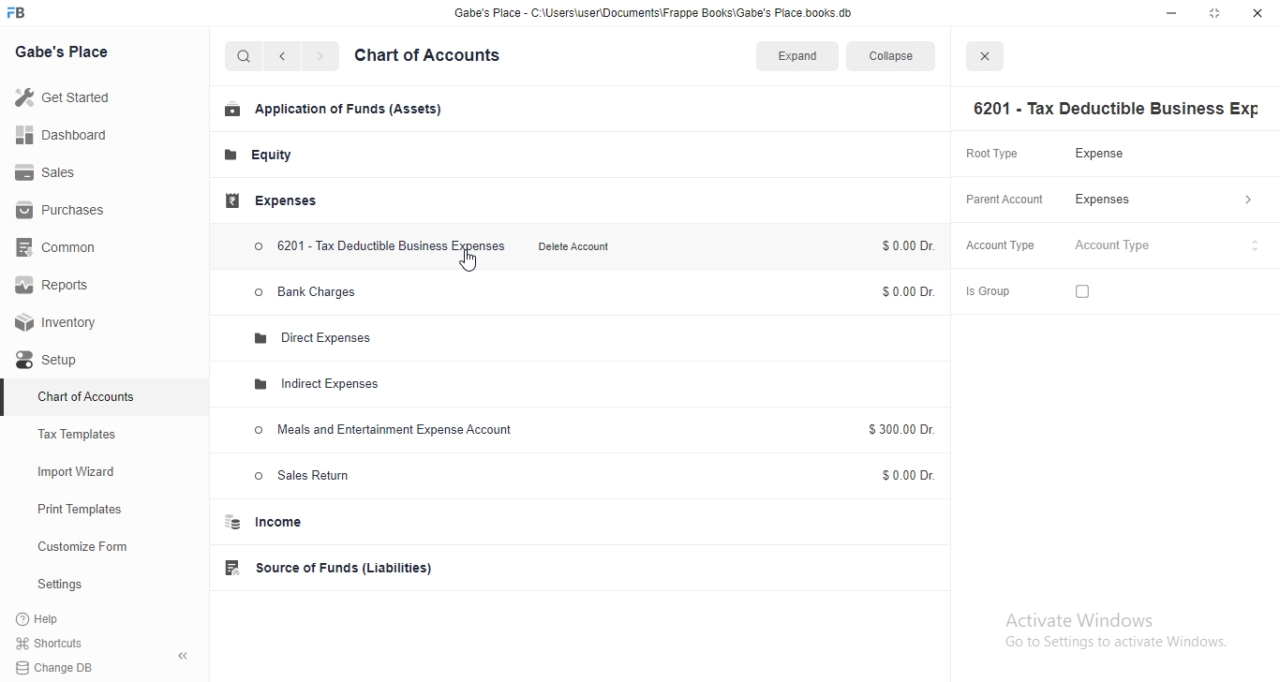 The width and height of the screenshot is (1280, 682). What do you see at coordinates (68, 360) in the screenshot?
I see `Setup` at bounding box center [68, 360].